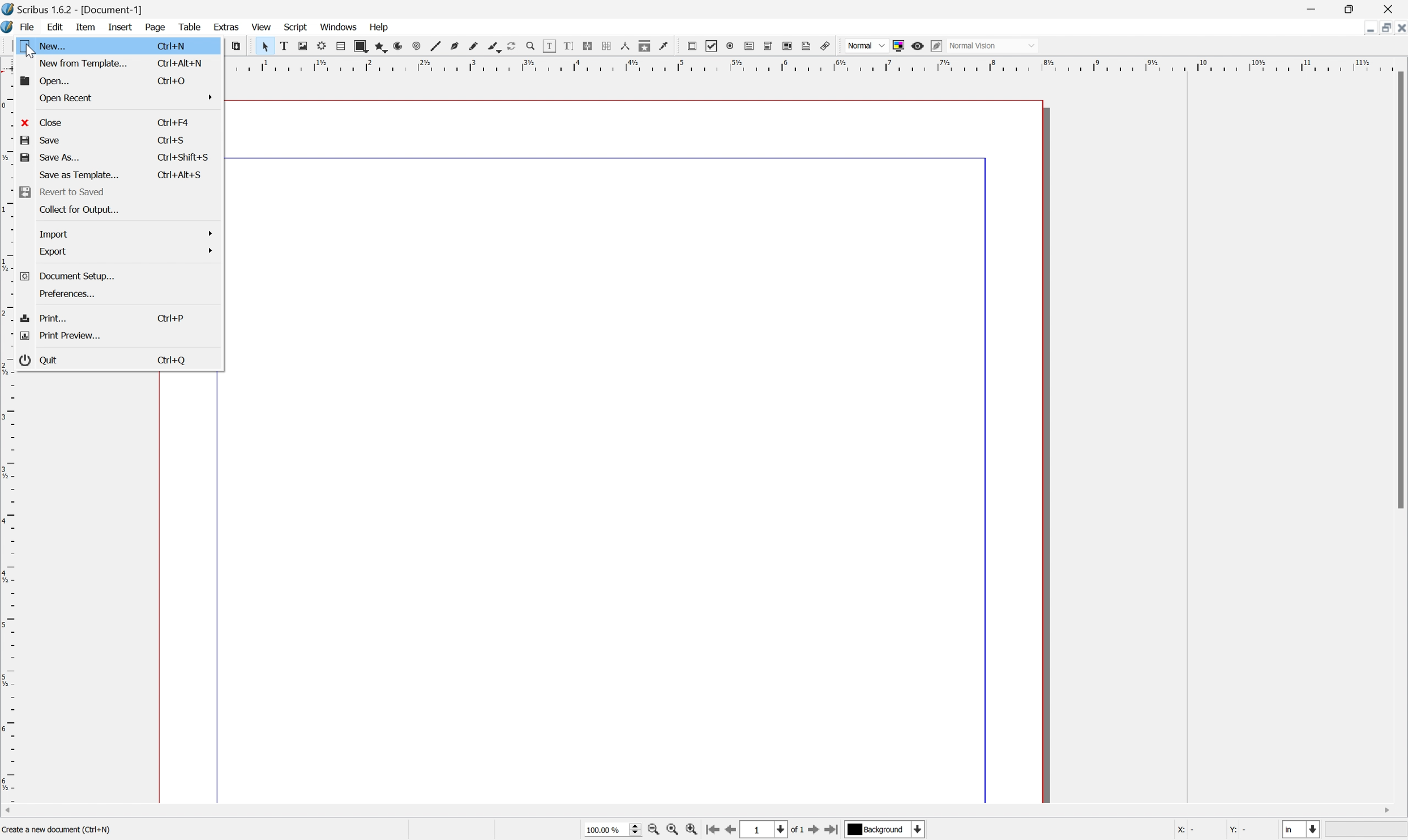 This screenshot has width=1408, height=840. What do you see at coordinates (769, 45) in the screenshot?
I see `pdf combo box` at bounding box center [769, 45].